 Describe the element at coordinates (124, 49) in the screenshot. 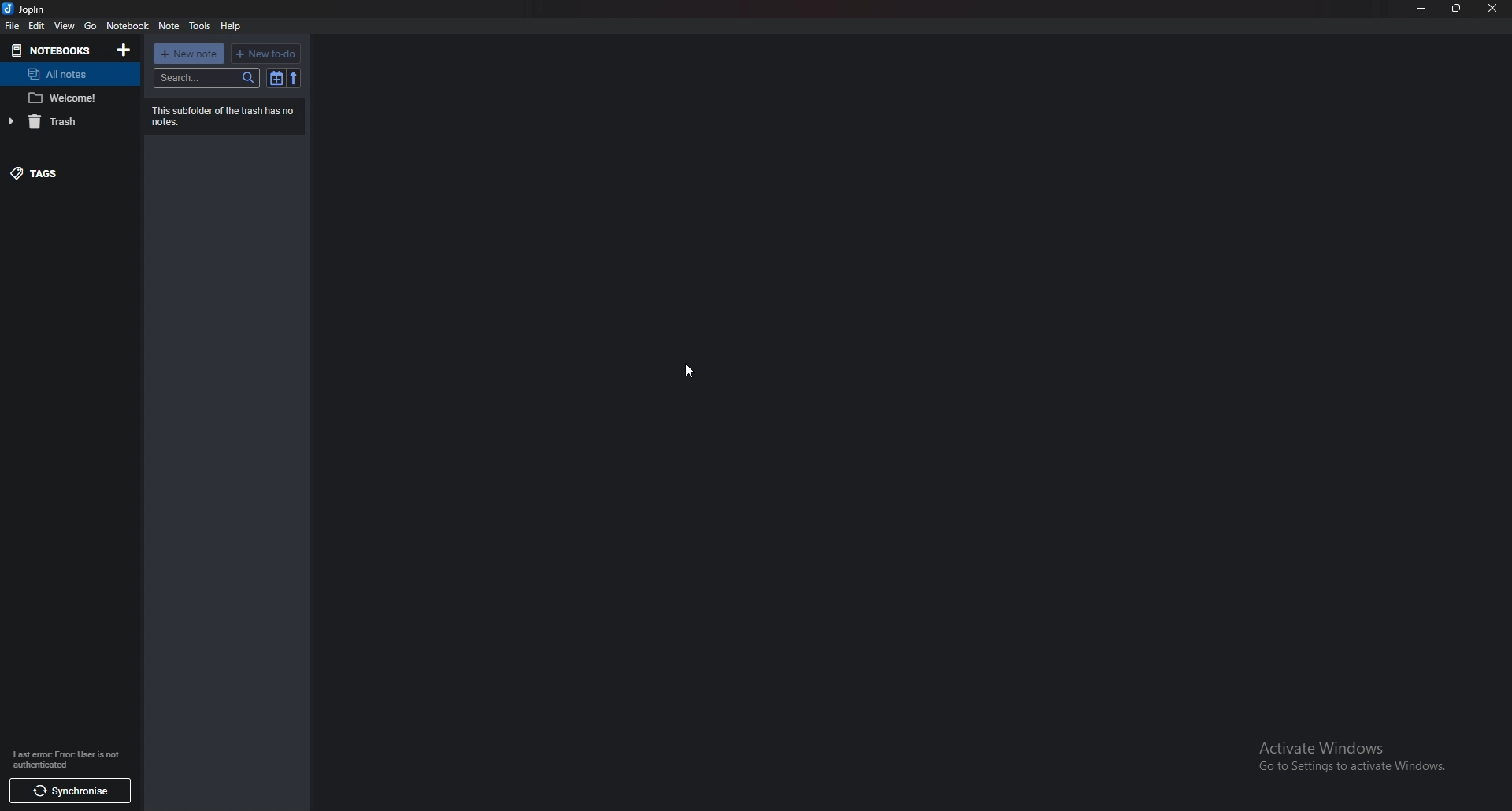

I see `Add notebooks` at that location.